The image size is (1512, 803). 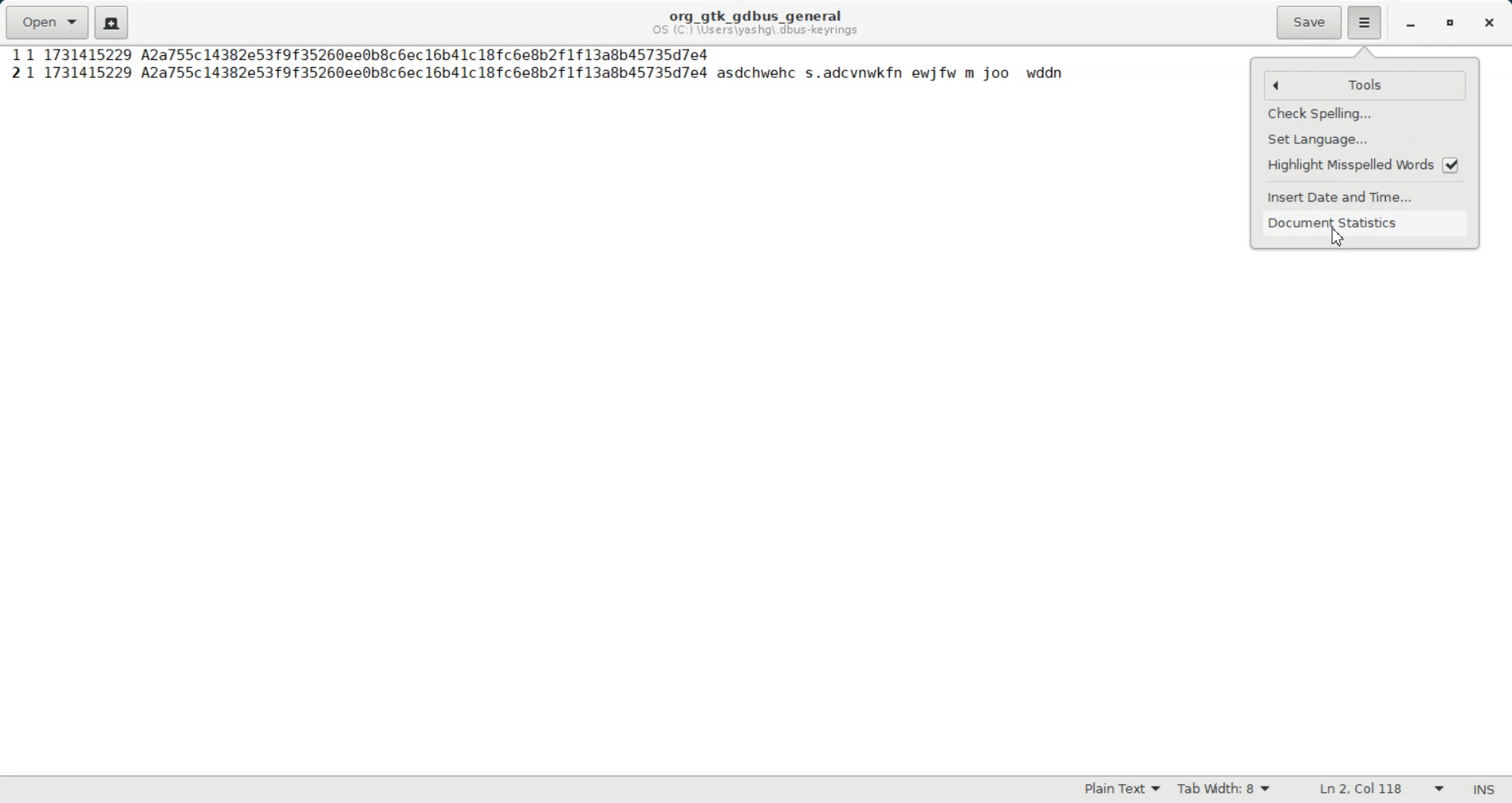 I want to click on Text line number, so click(x=10, y=66).